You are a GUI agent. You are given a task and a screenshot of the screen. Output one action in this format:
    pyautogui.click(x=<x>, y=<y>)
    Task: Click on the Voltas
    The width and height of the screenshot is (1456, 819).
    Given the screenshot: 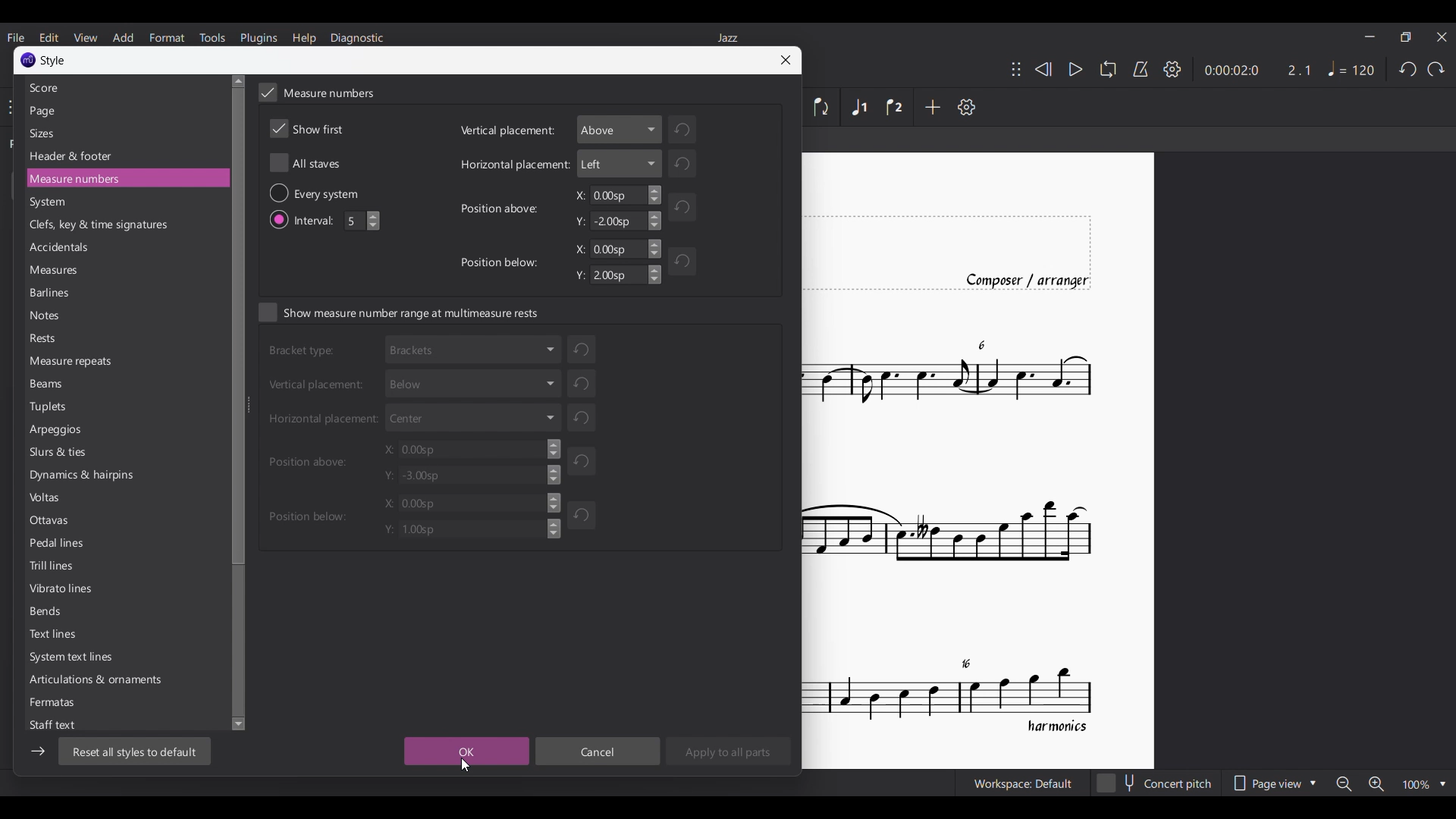 What is the action you would take?
    pyautogui.click(x=46, y=500)
    